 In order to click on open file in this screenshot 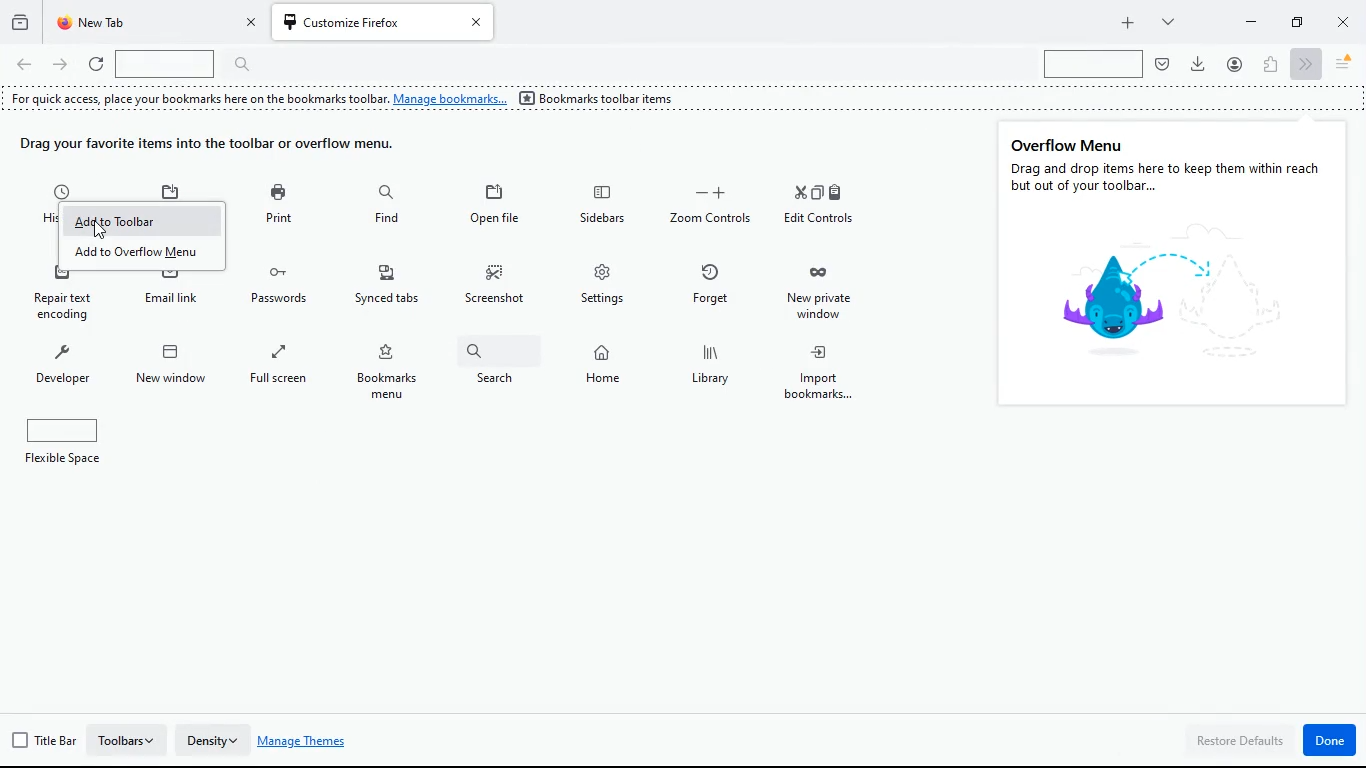, I will do `click(493, 208)`.